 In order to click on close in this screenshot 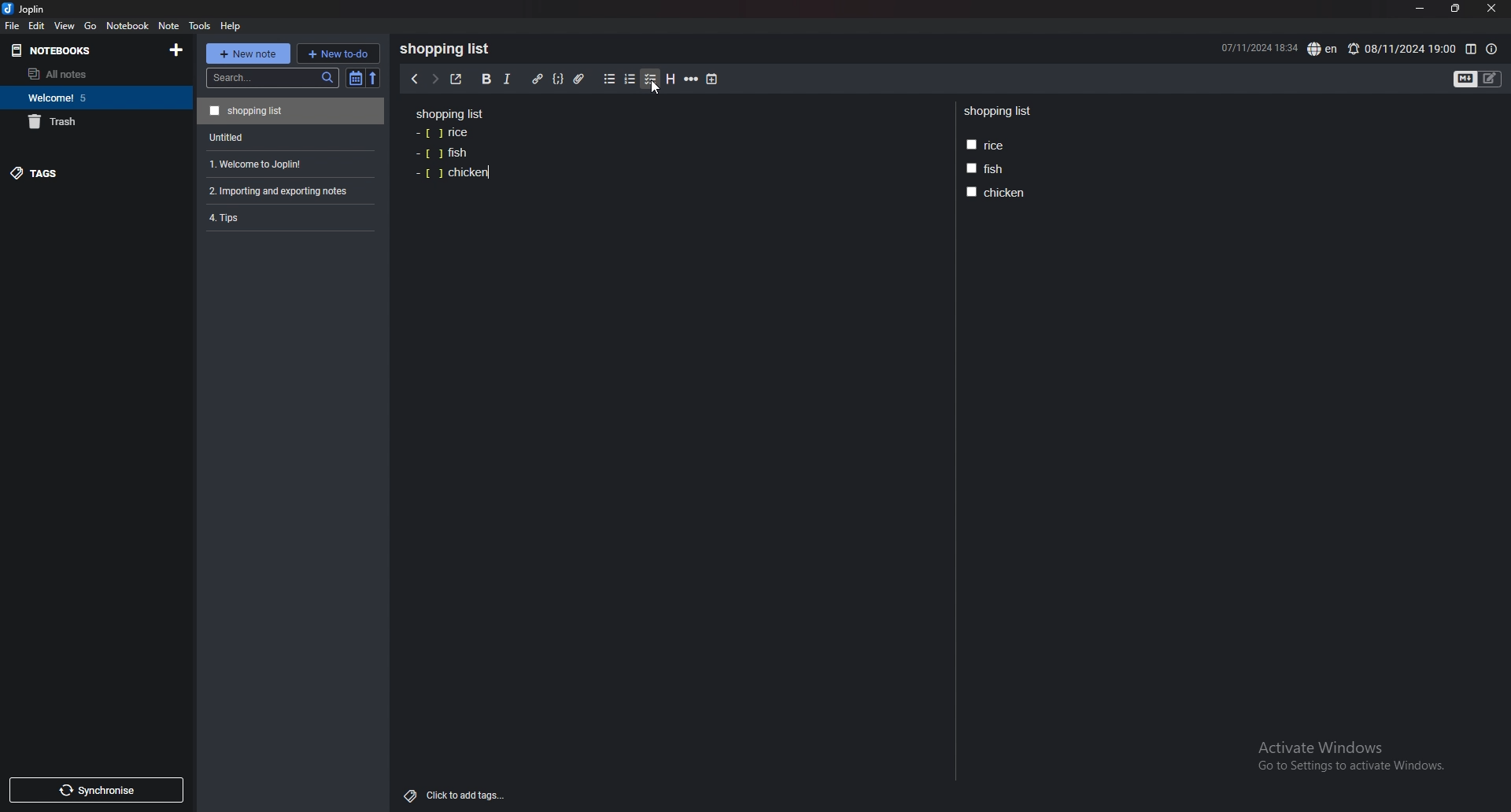, I will do `click(1491, 9)`.